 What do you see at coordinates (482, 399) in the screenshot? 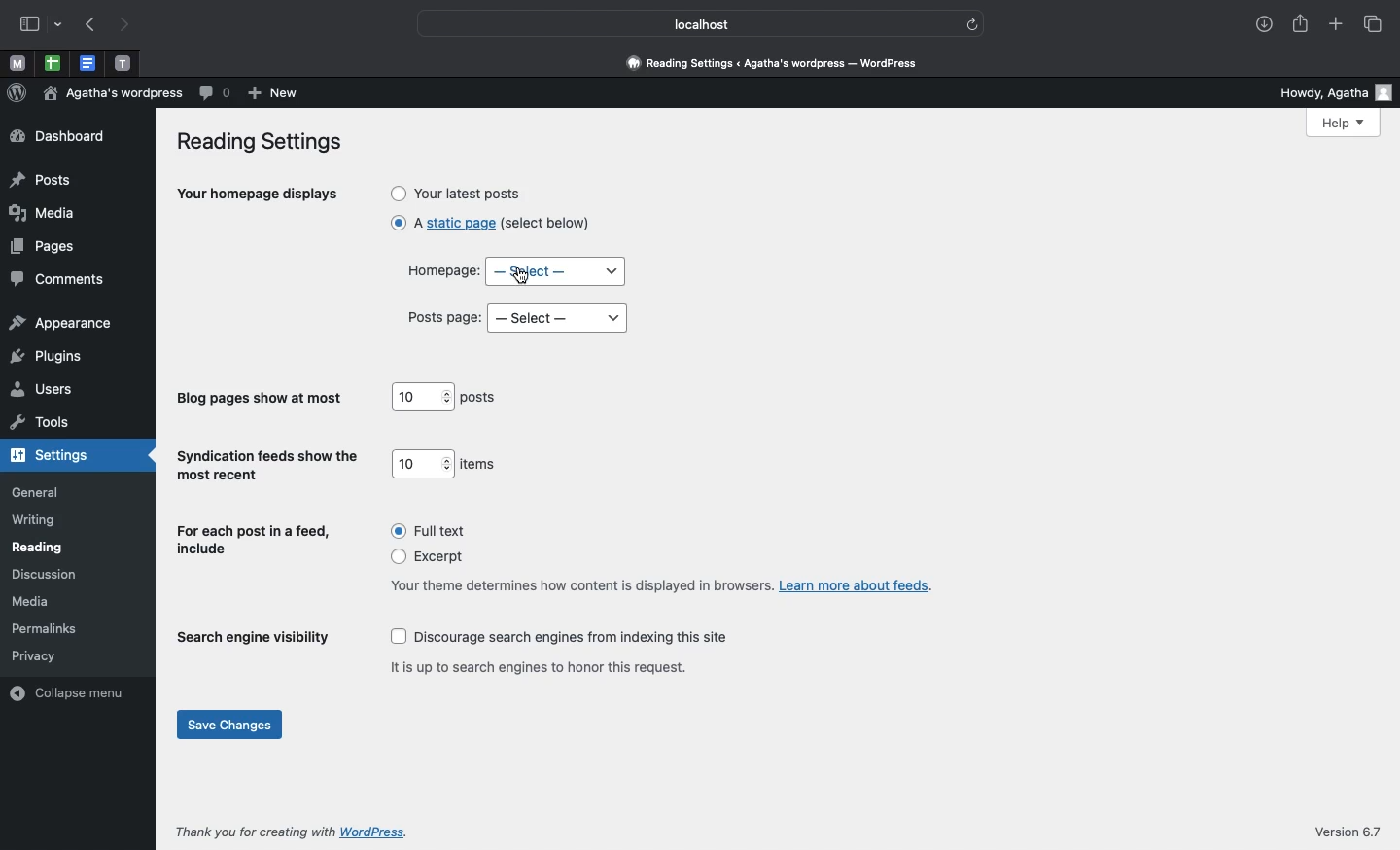
I see `posts` at bounding box center [482, 399].